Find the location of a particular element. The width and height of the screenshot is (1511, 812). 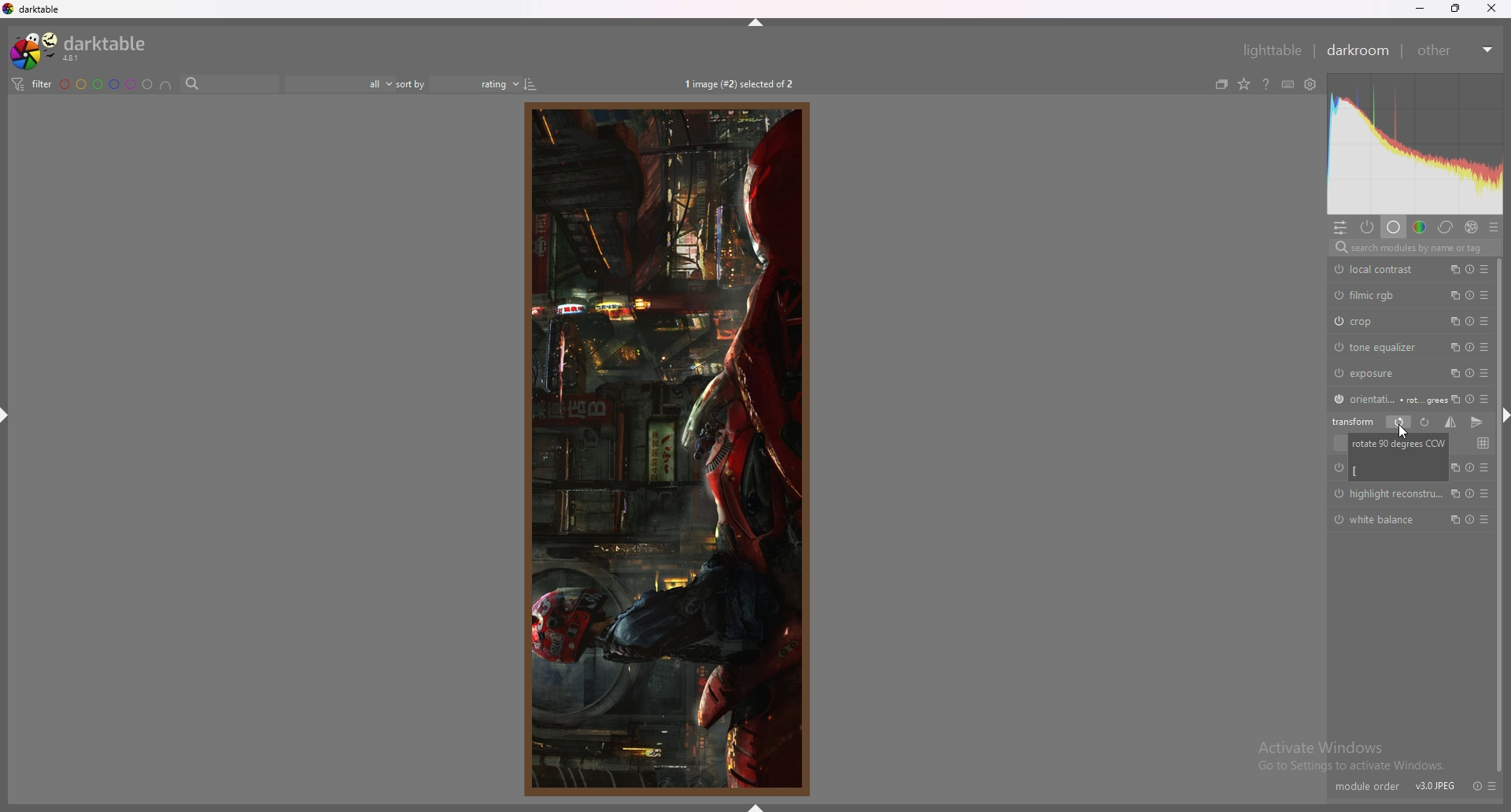

transform is located at coordinates (1355, 421).